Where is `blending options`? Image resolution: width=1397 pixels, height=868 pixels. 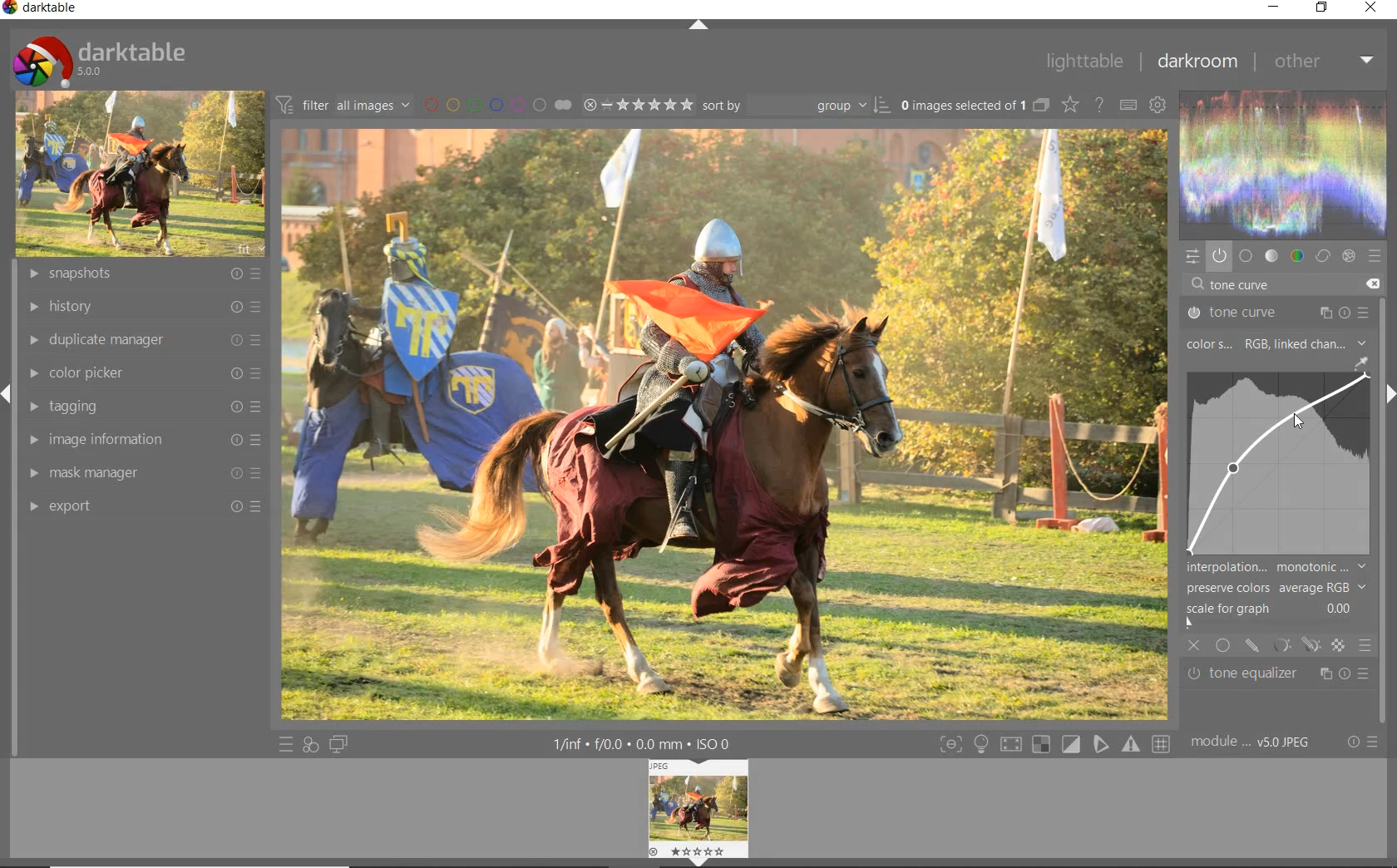 blending options is located at coordinates (1364, 644).